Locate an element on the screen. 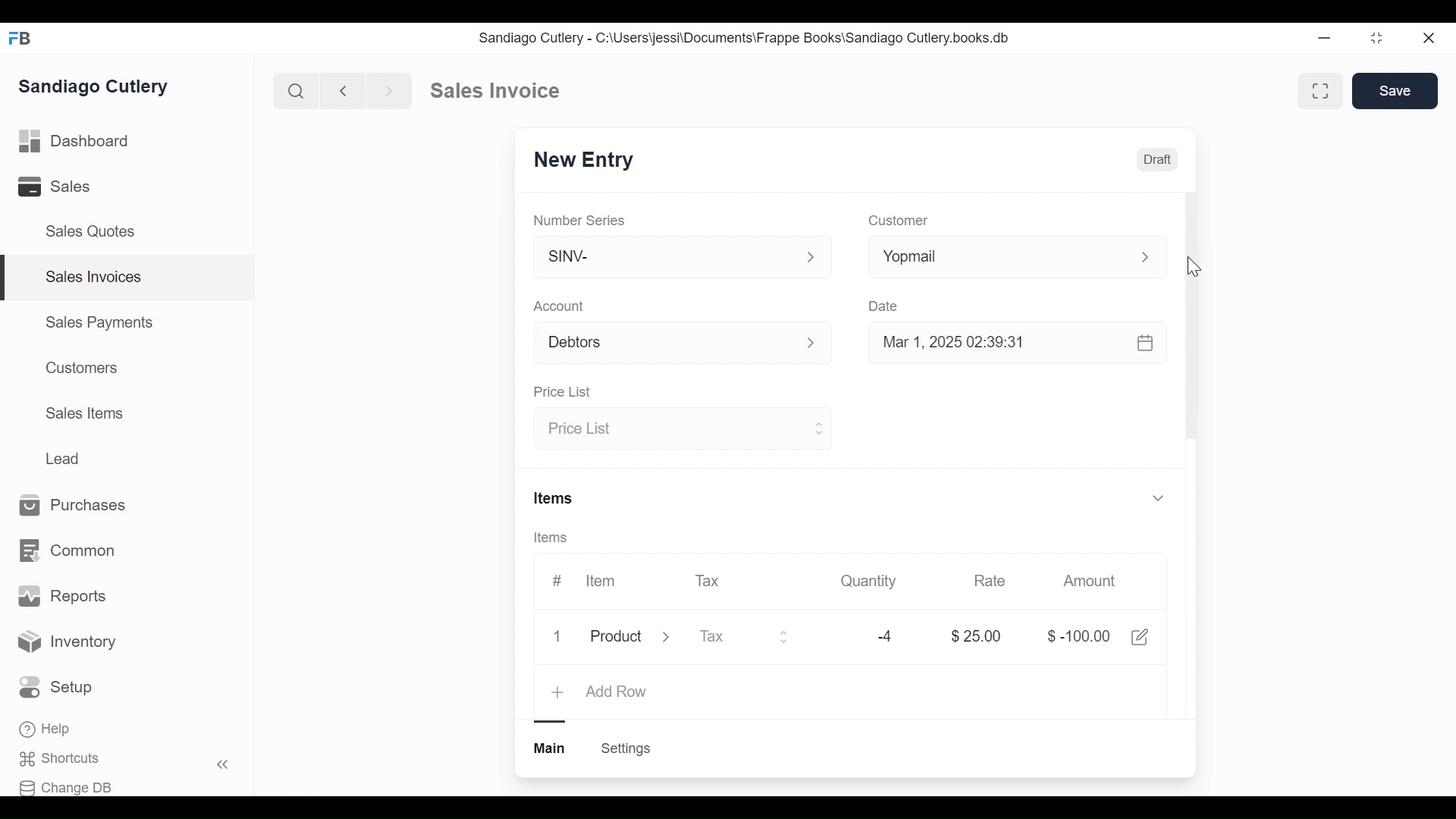 This screenshot has height=819, width=1456. Save is located at coordinates (1395, 91).